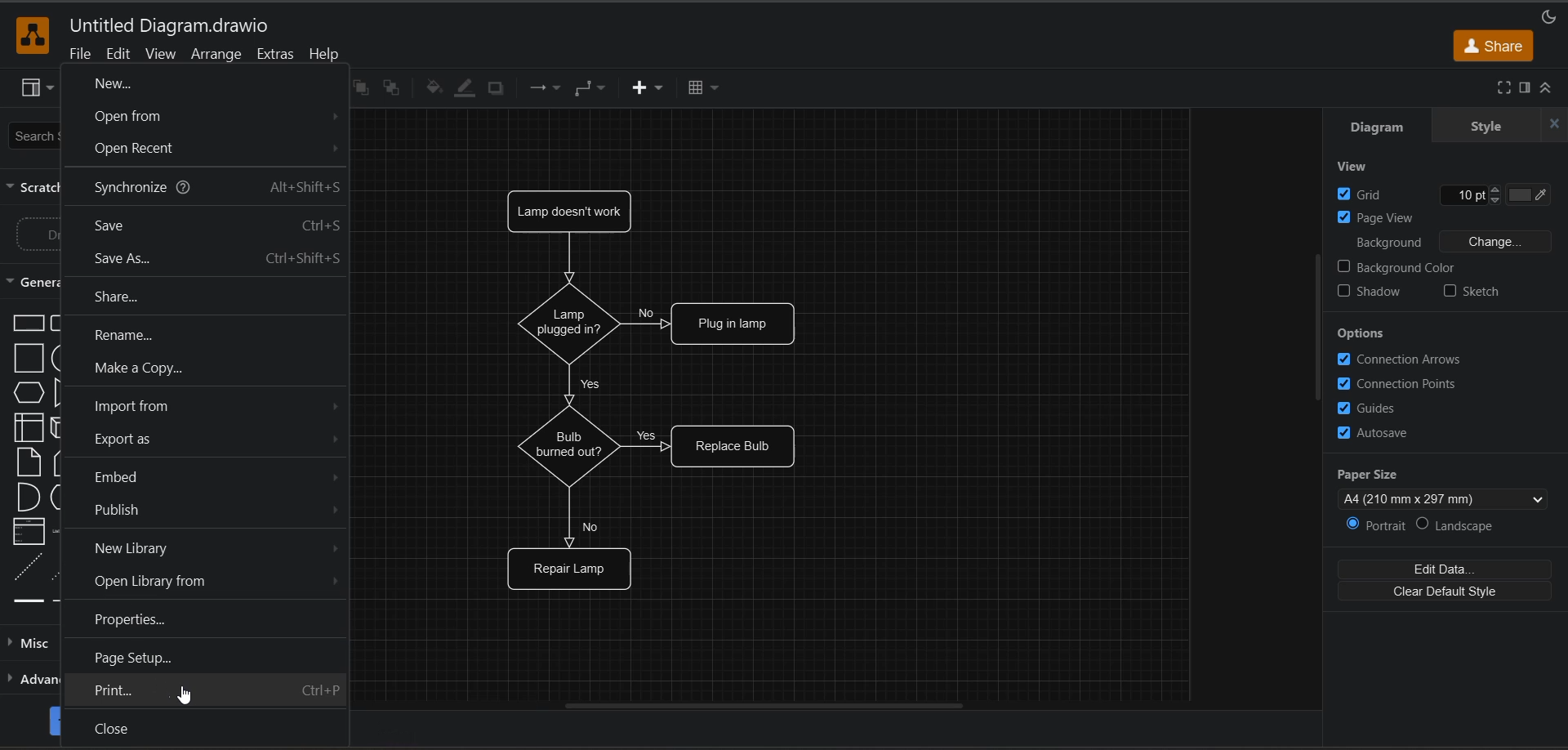  I want to click on view, so click(159, 55).